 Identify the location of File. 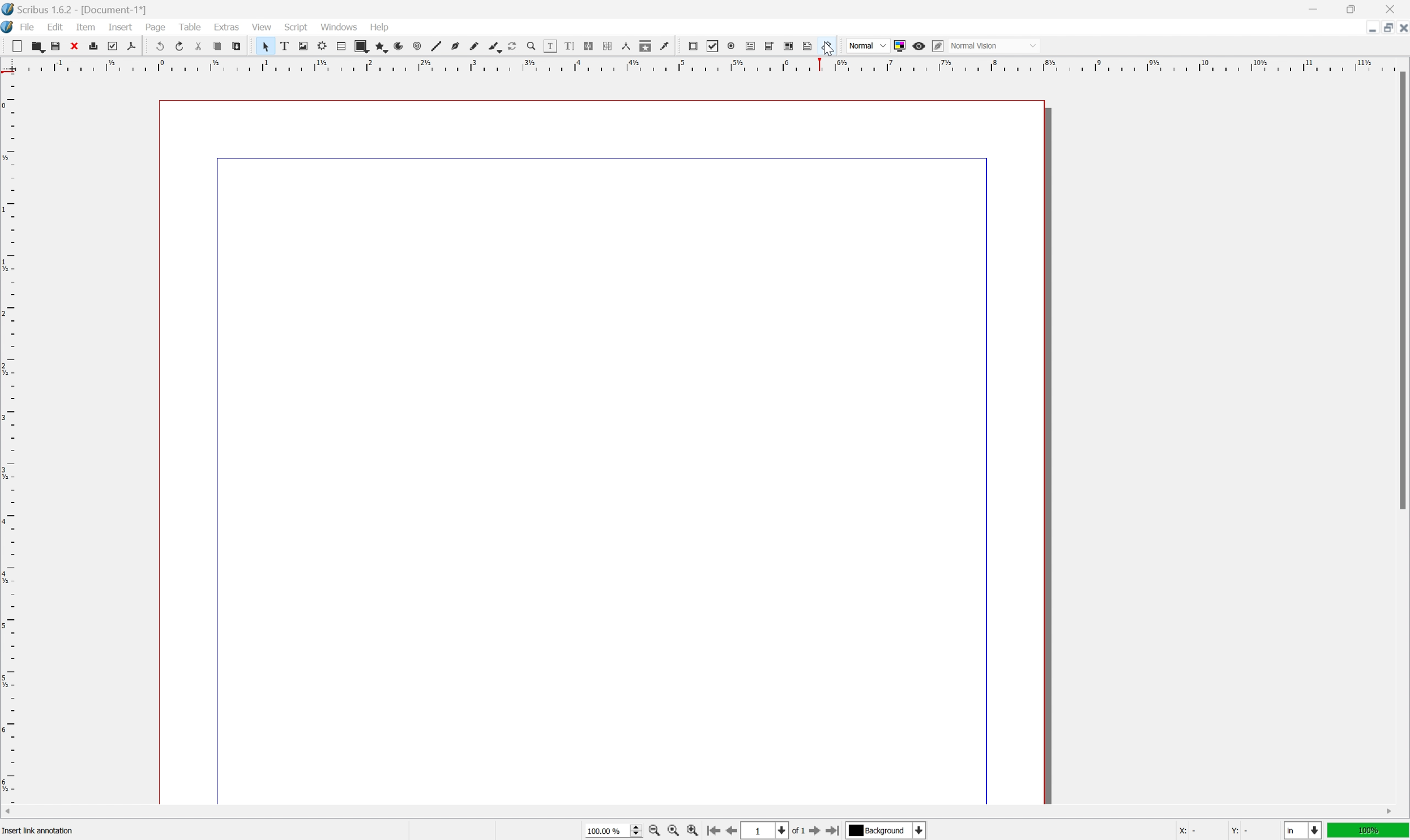
(28, 27).